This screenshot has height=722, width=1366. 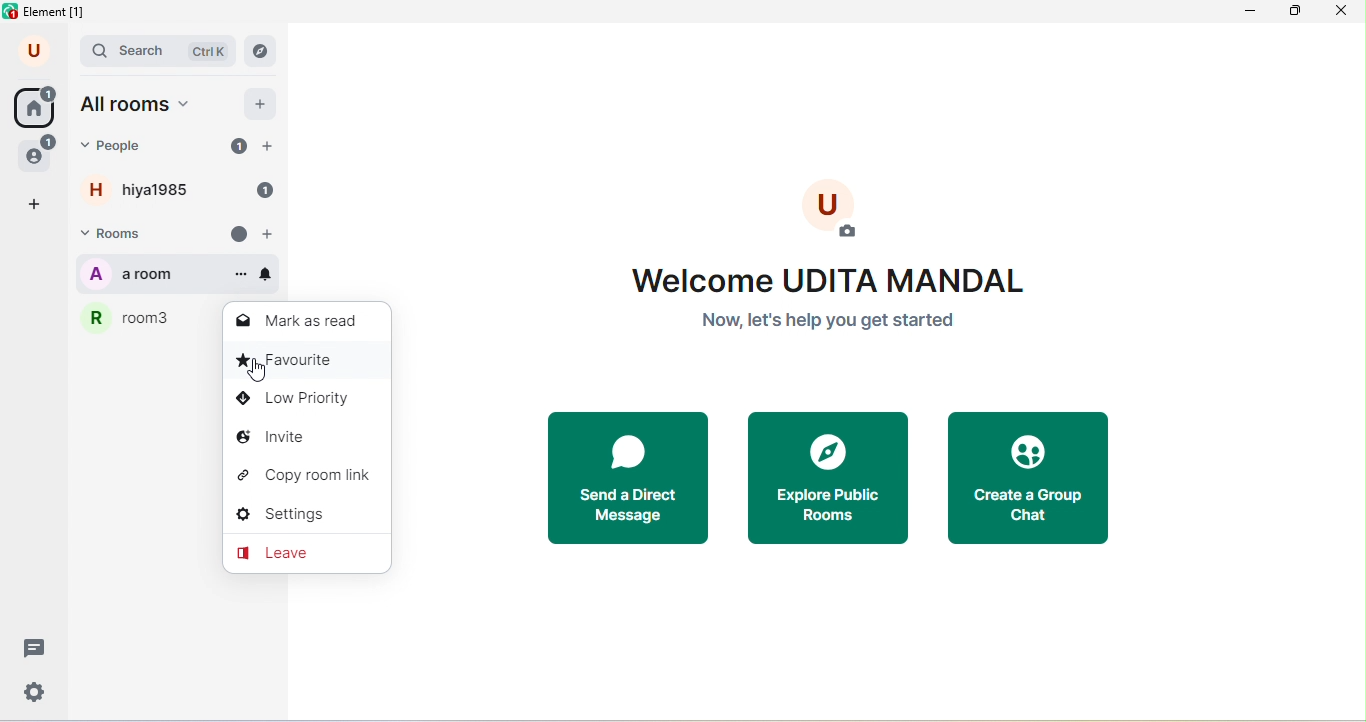 I want to click on copy room link, so click(x=309, y=476).